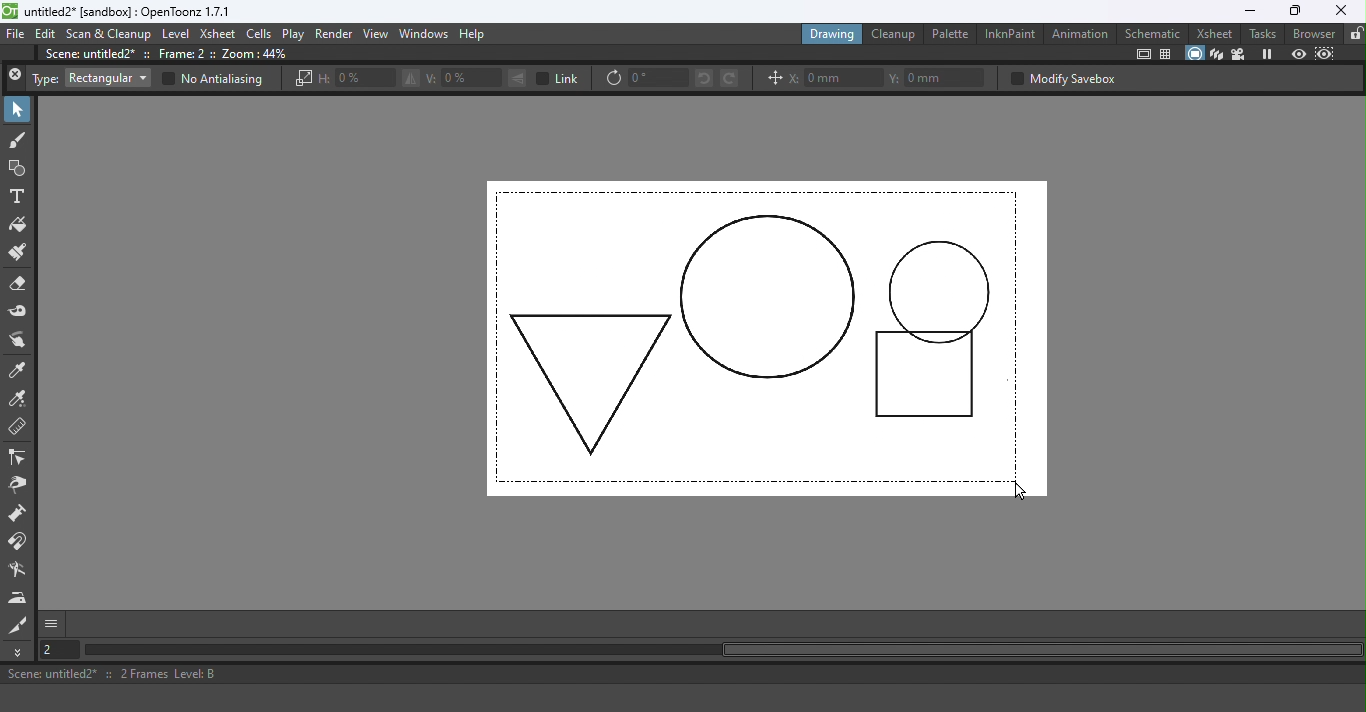 The width and height of the screenshot is (1366, 712). What do you see at coordinates (772, 80) in the screenshot?
I see `Position` at bounding box center [772, 80].